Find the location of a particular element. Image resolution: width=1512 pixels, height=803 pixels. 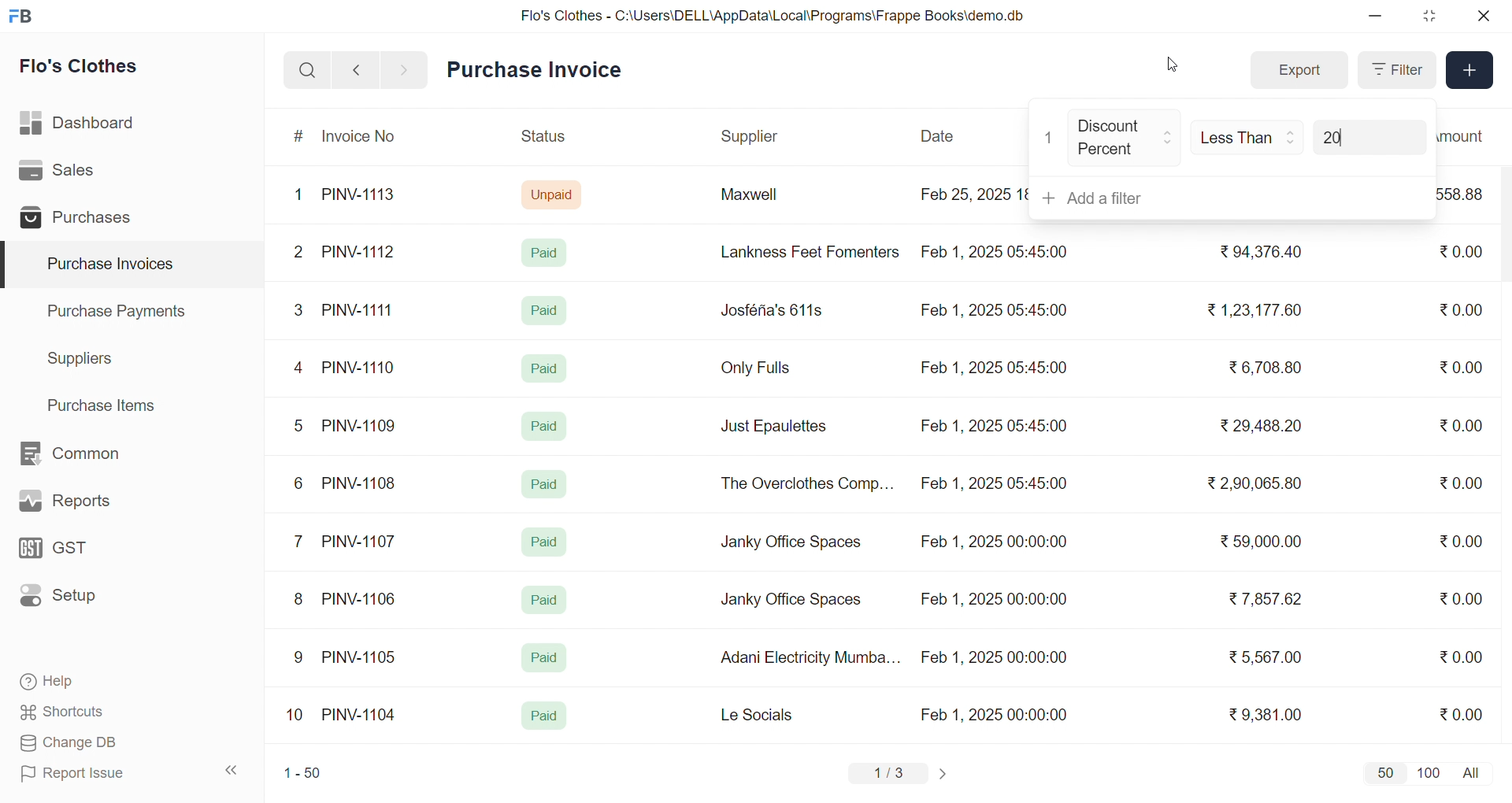

5 is located at coordinates (298, 425).